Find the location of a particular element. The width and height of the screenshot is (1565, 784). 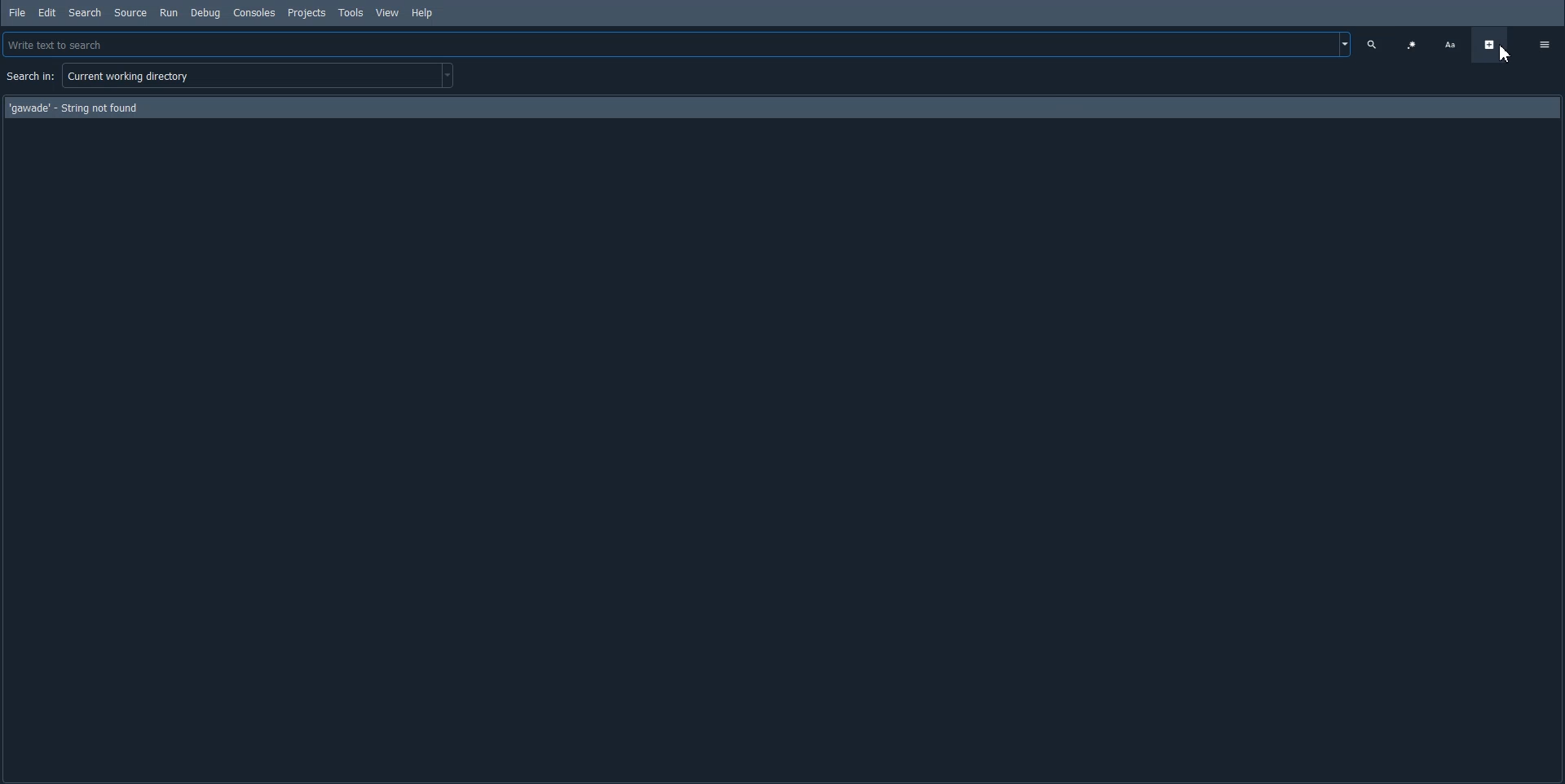

Current working directory is located at coordinates (262, 79).